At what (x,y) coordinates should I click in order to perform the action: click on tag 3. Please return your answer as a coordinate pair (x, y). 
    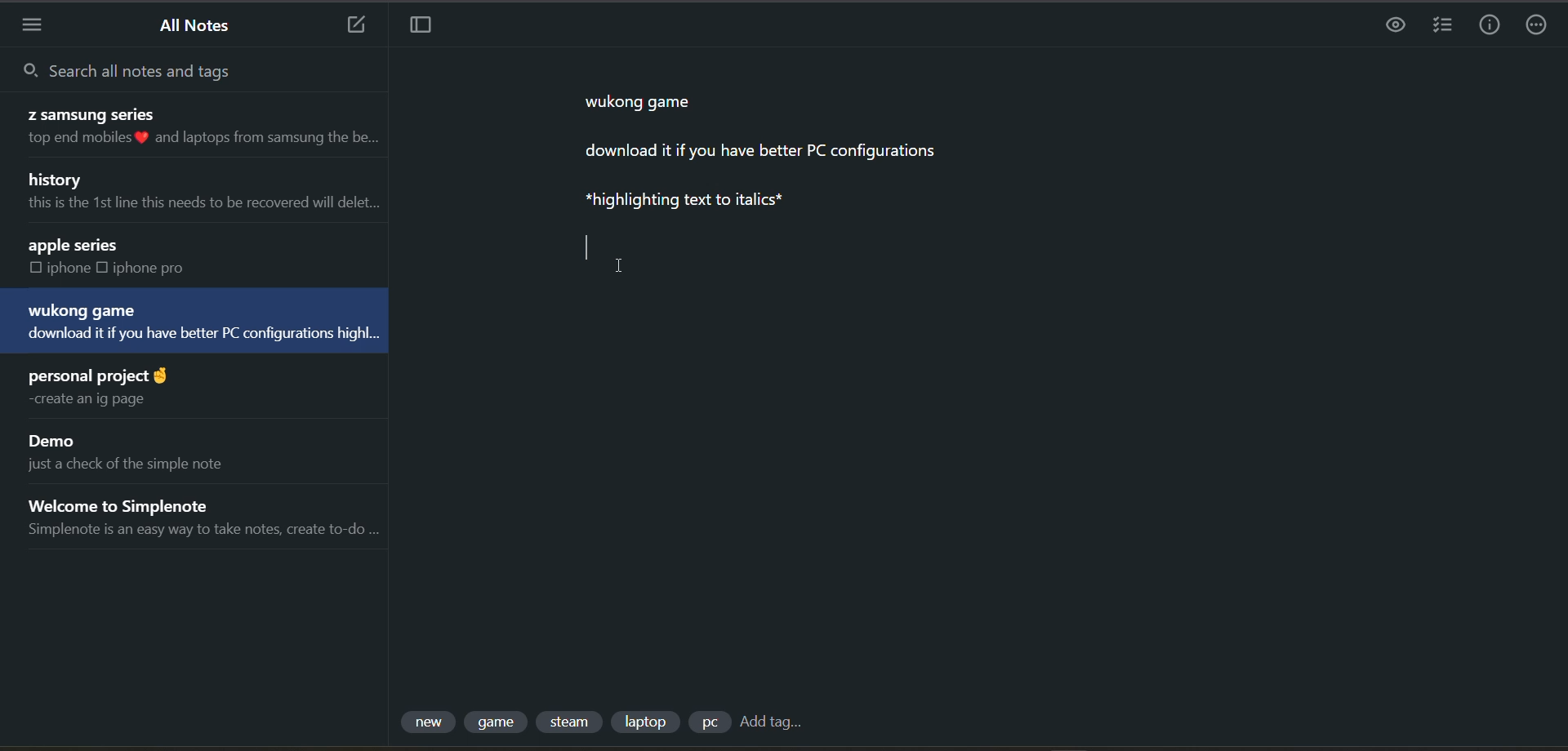
    Looking at the image, I should click on (572, 722).